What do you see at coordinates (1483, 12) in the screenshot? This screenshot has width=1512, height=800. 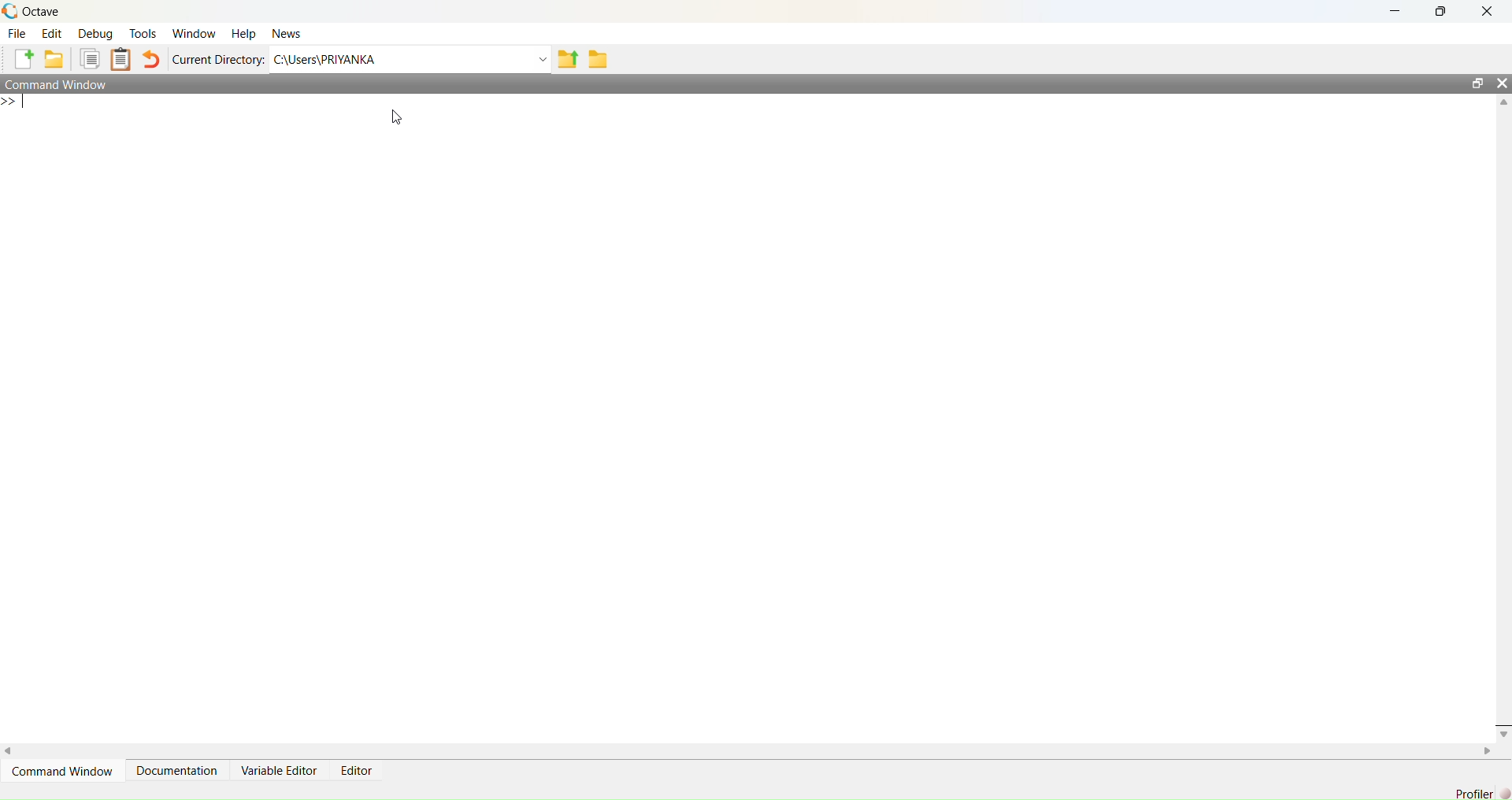 I see `Close` at bounding box center [1483, 12].